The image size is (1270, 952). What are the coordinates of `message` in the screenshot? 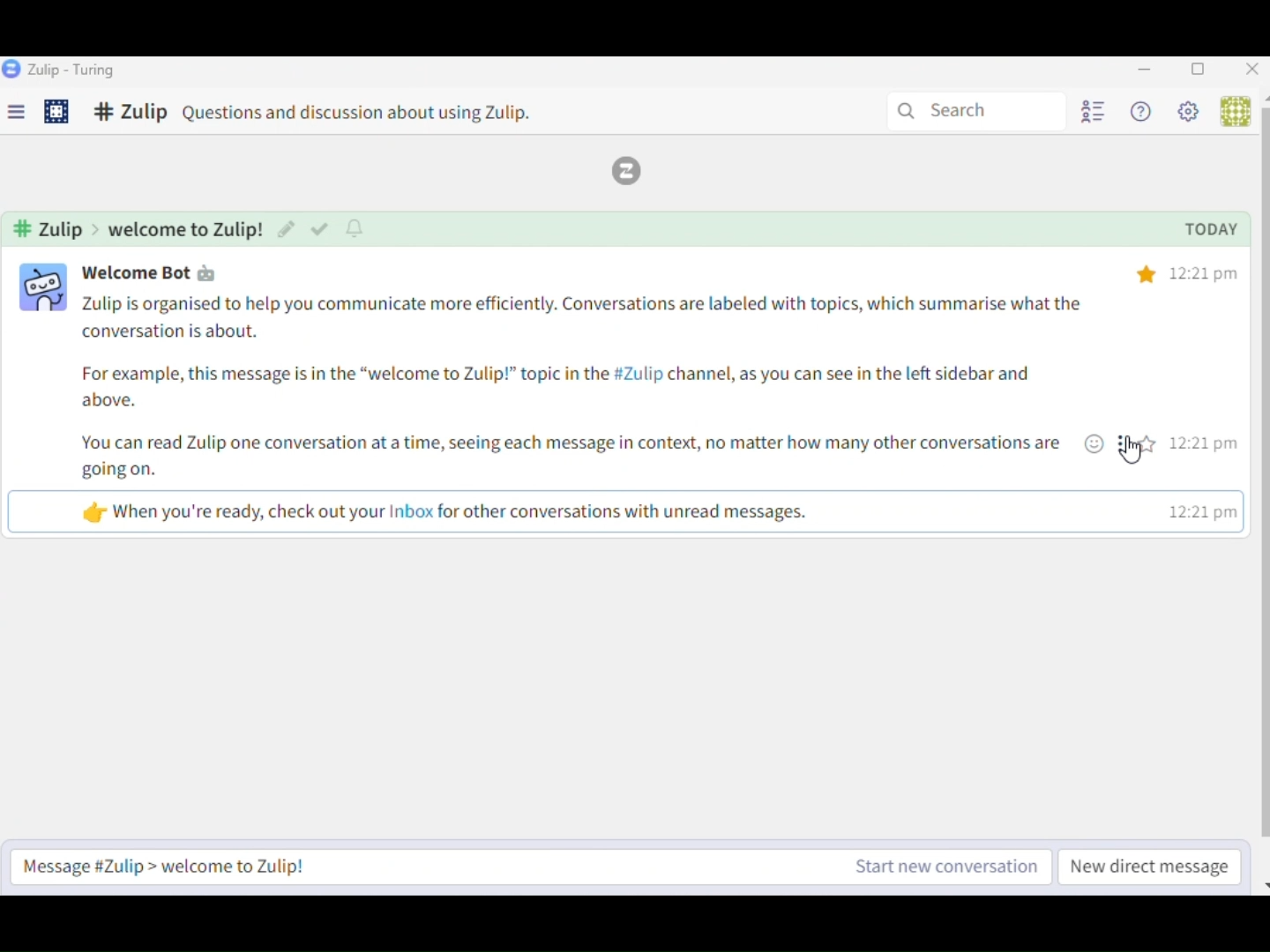 It's located at (581, 407).